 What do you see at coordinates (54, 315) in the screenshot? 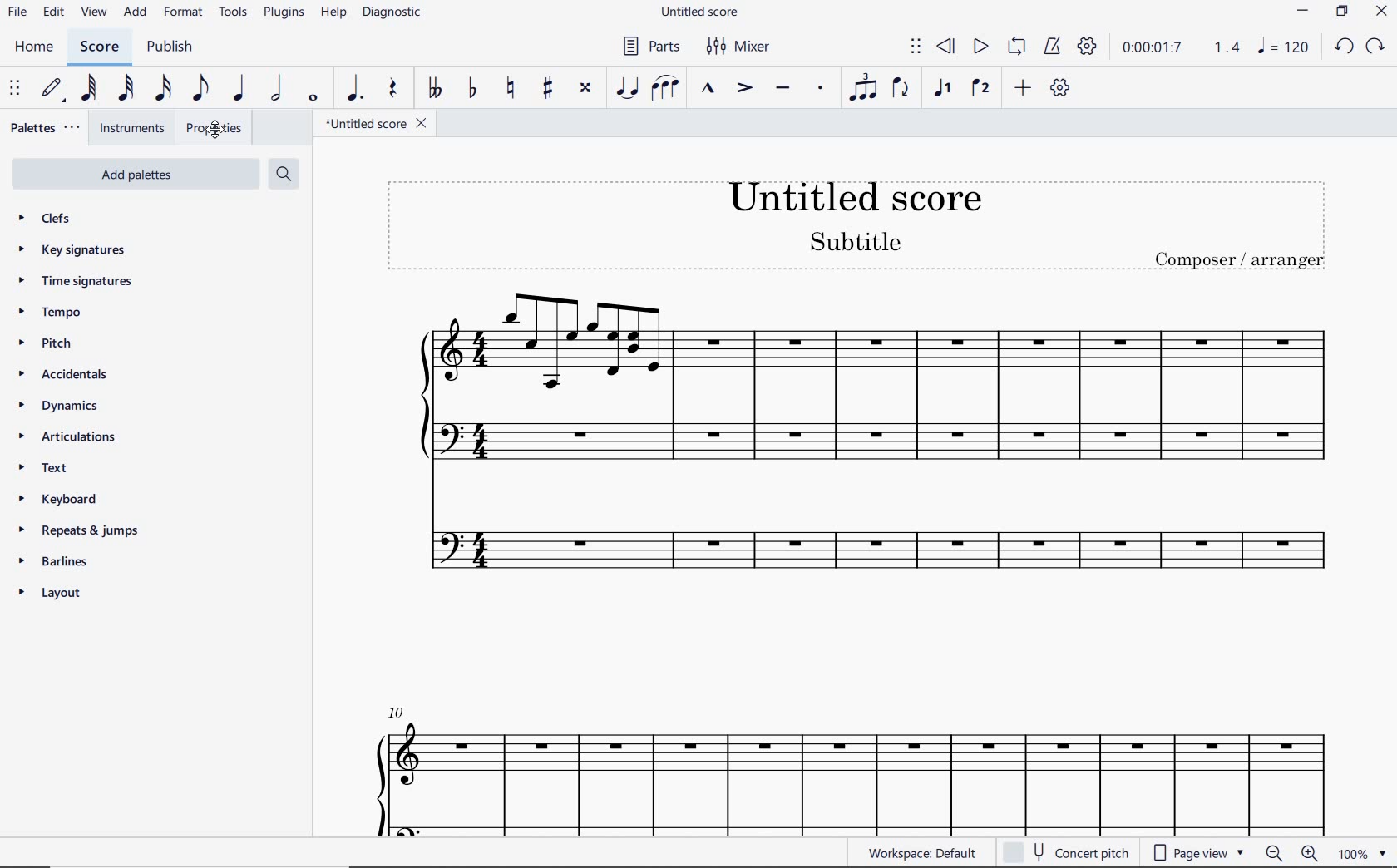
I see `tempo` at bounding box center [54, 315].